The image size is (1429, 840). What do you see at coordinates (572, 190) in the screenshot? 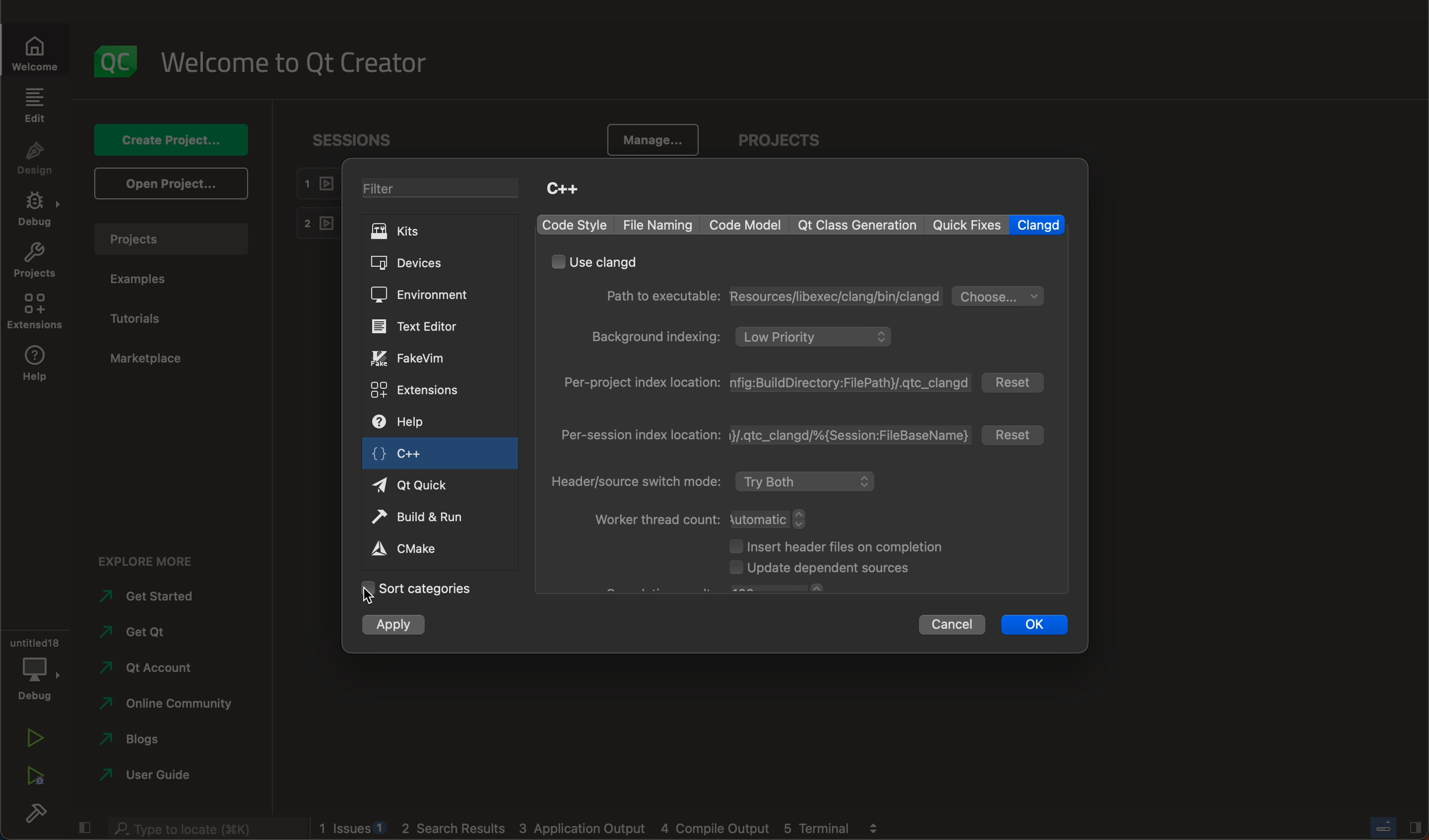
I see `C++` at bounding box center [572, 190].